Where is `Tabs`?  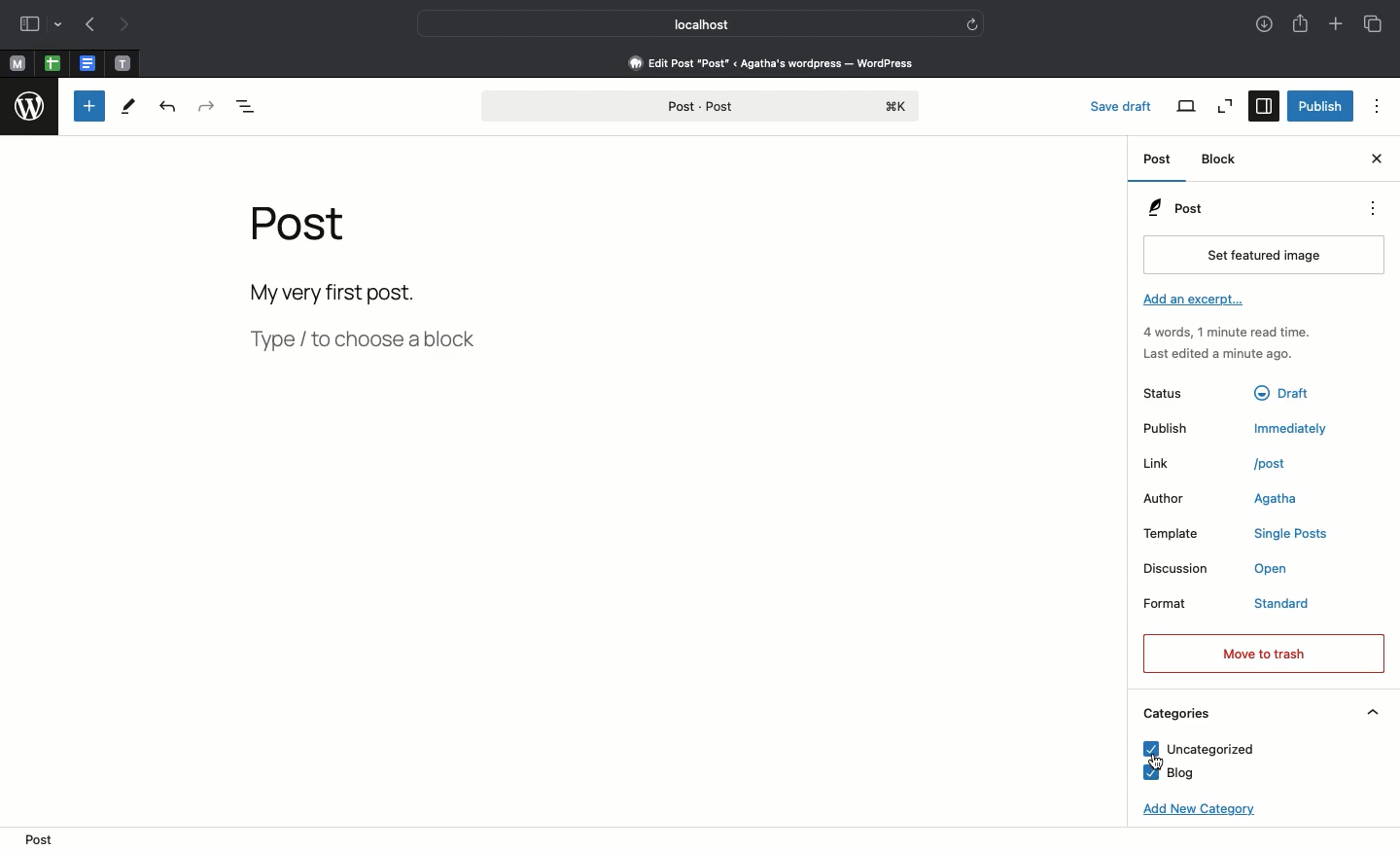
Tabs is located at coordinates (1376, 24).